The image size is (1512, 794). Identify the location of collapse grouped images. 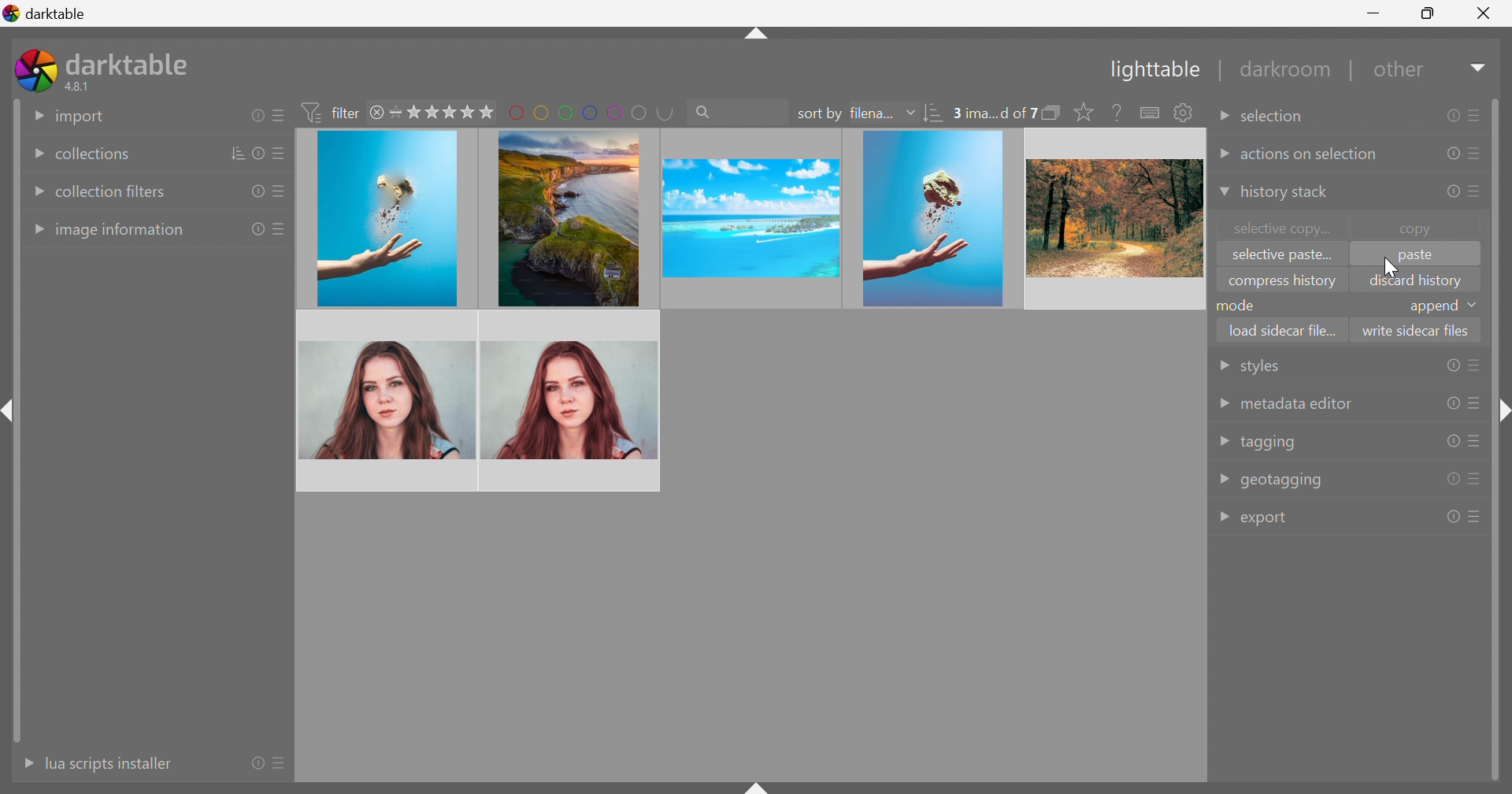
(1052, 113).